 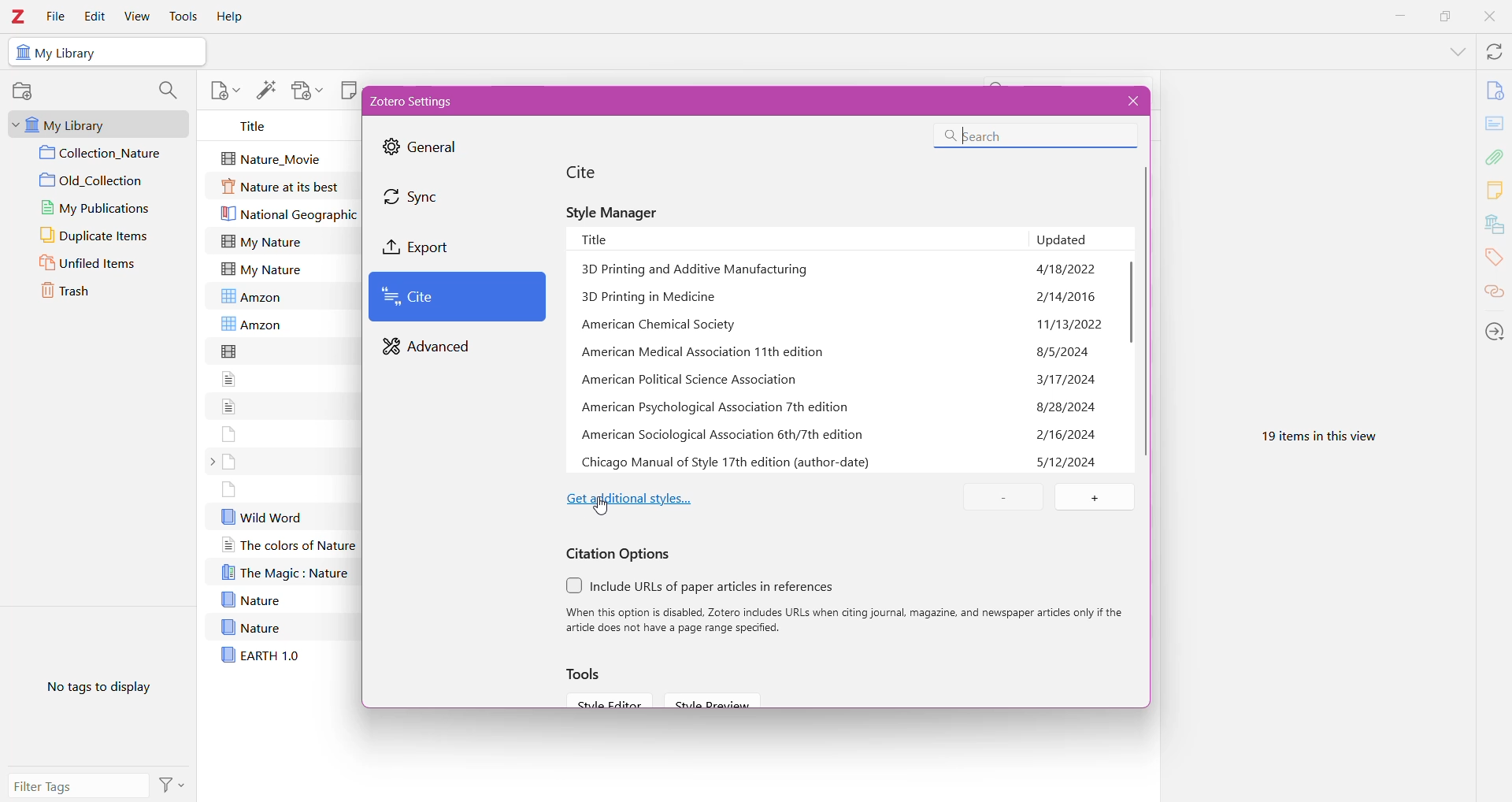 I want to click on file without title, so click(x=229, y=433).